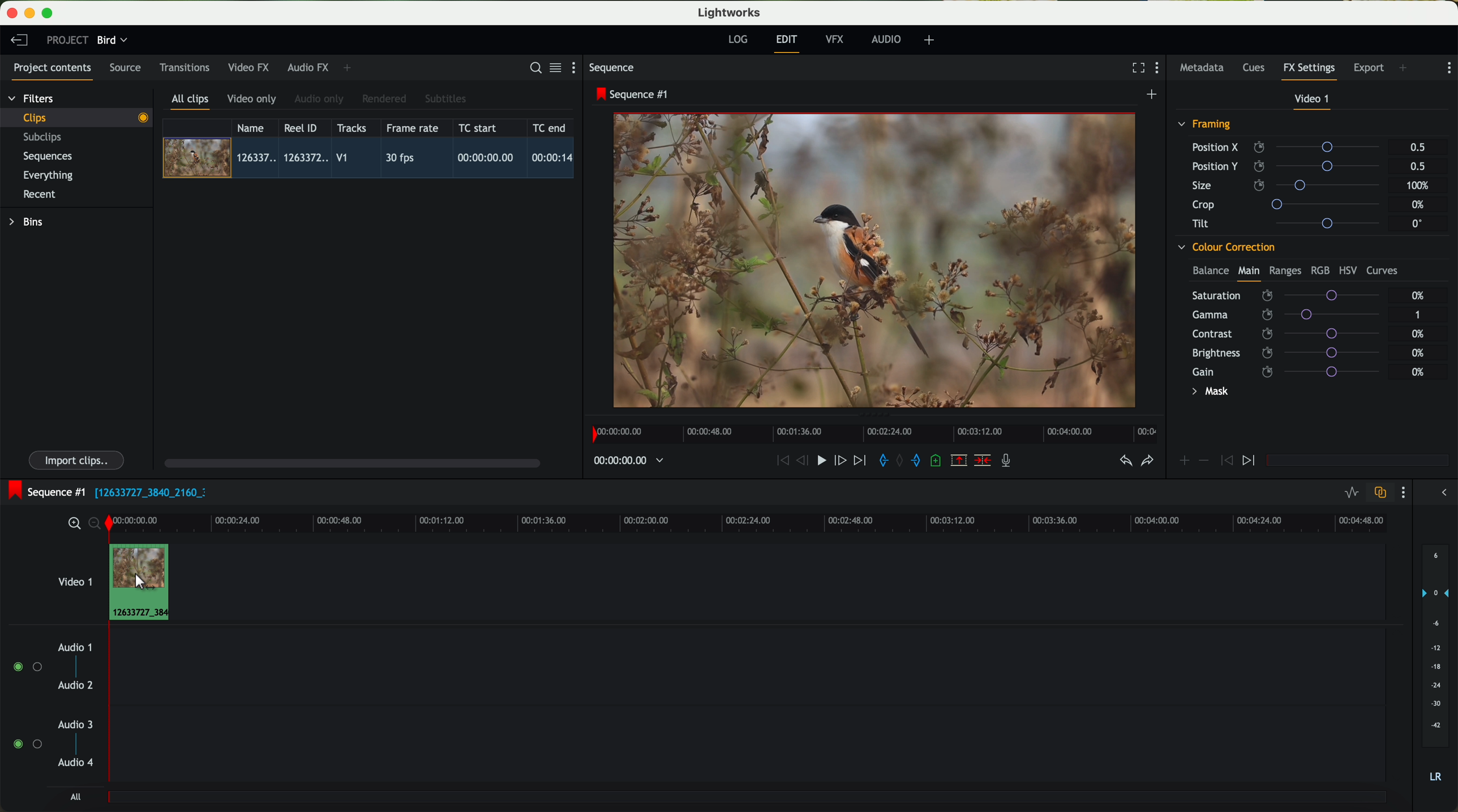 The image size is (1458, 812). I want to click on click on video, so click(372, 160).